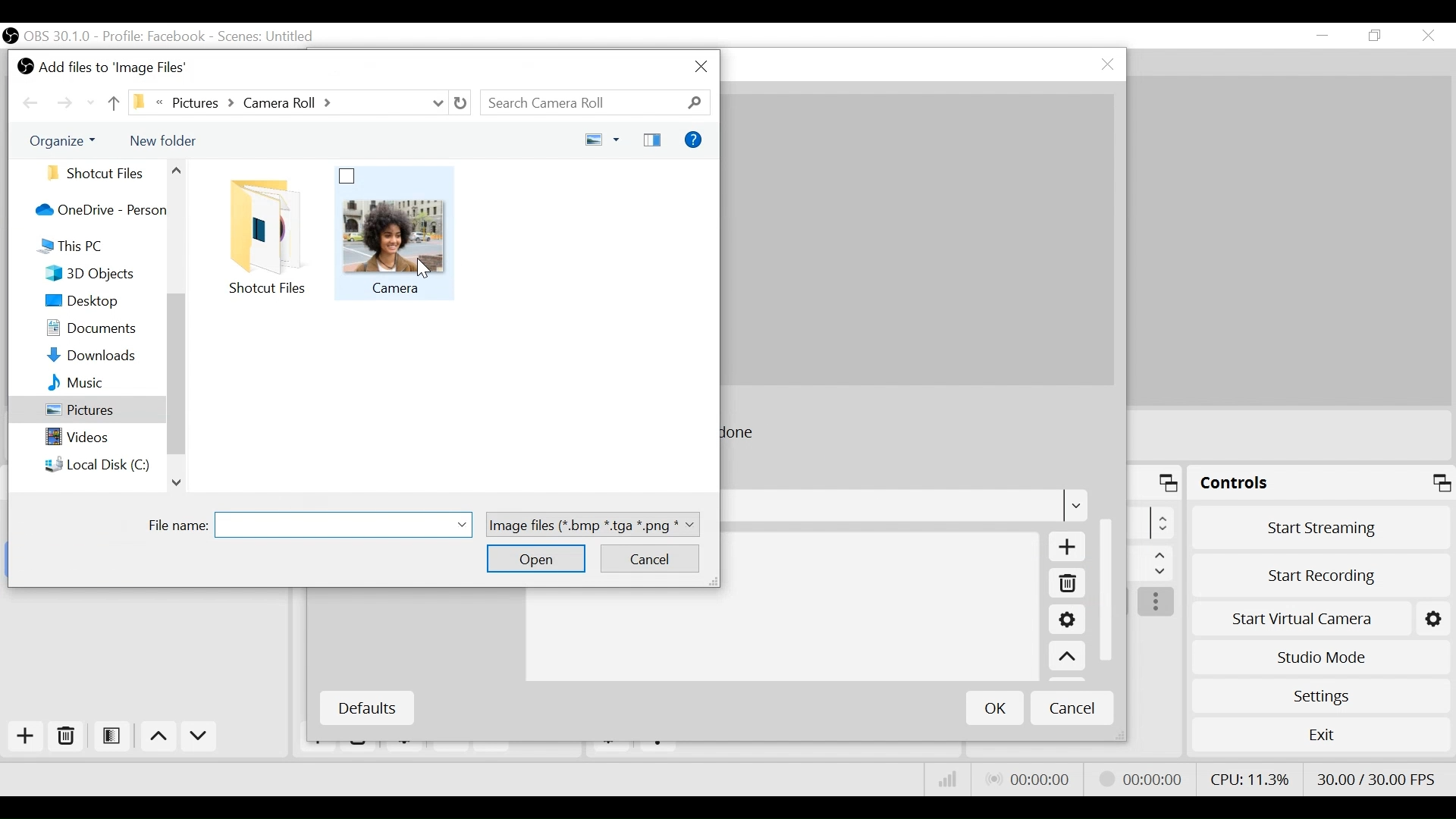  What do you see at coordinates (422, 272) in the screenshot?
I see `cursor` at bounding box center [422, 272].